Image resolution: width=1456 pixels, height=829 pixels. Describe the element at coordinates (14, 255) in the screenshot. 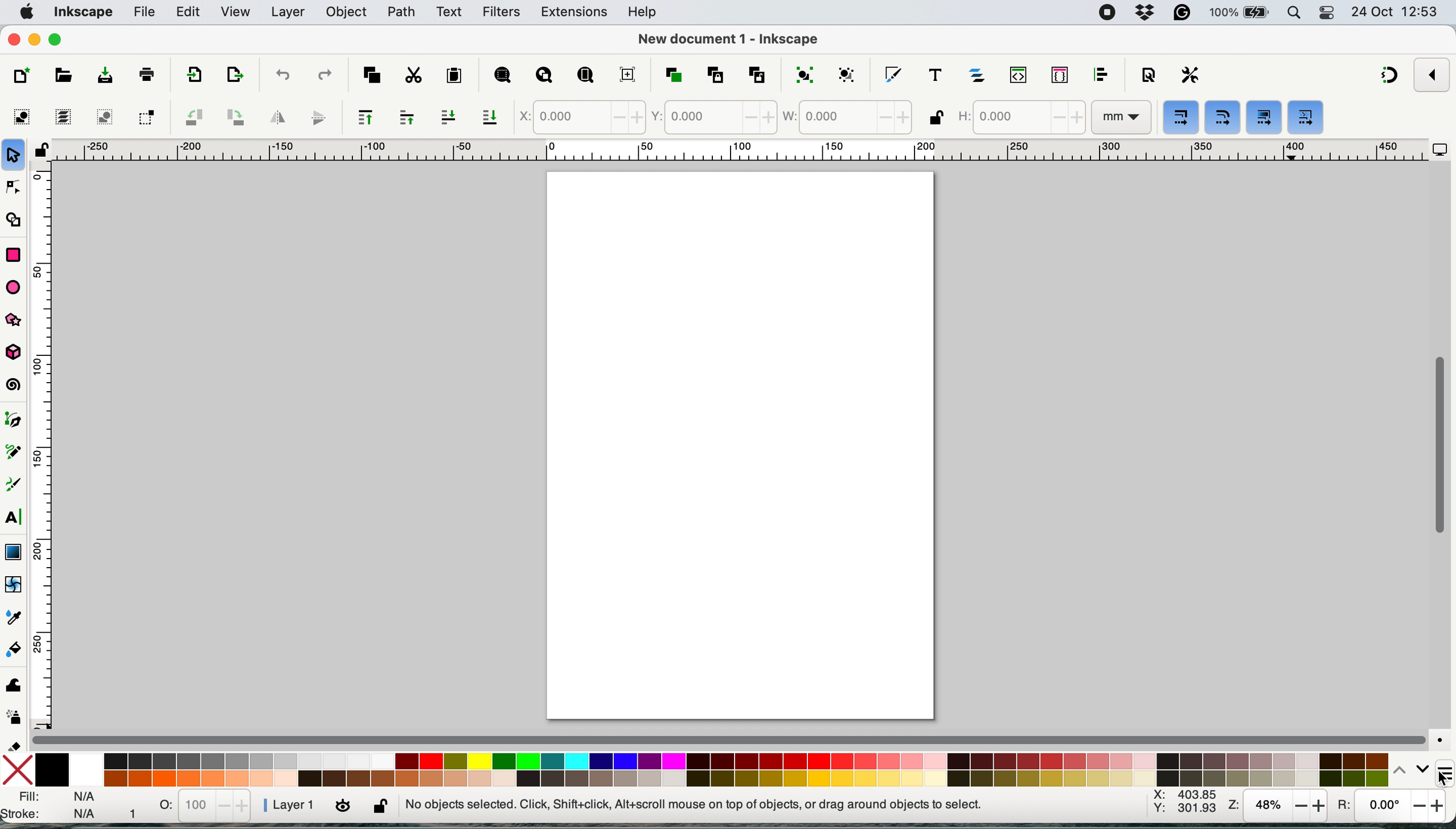

I see `rectangle tool` at that location.